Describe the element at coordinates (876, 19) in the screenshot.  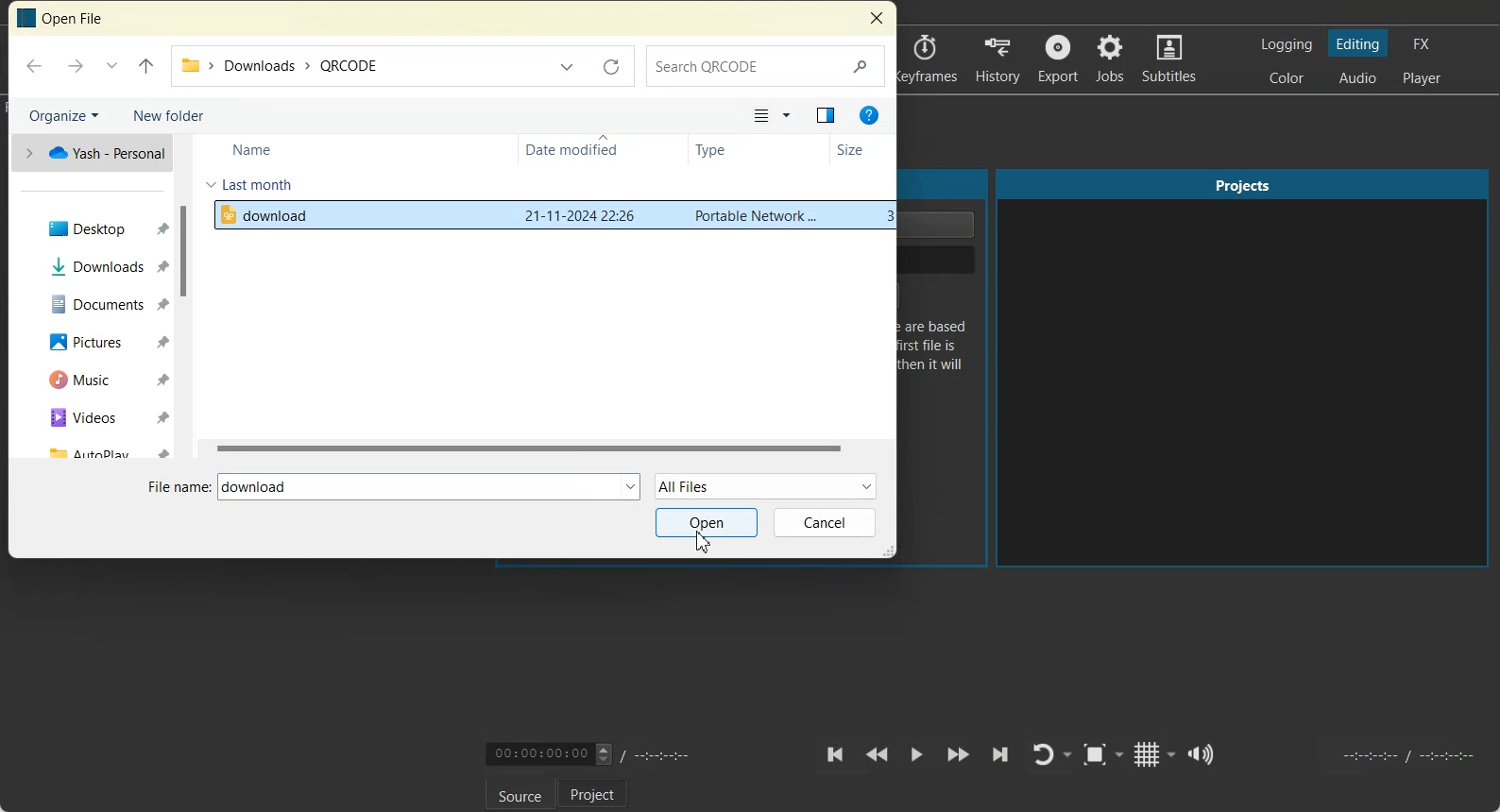
I see `Close` at that location.